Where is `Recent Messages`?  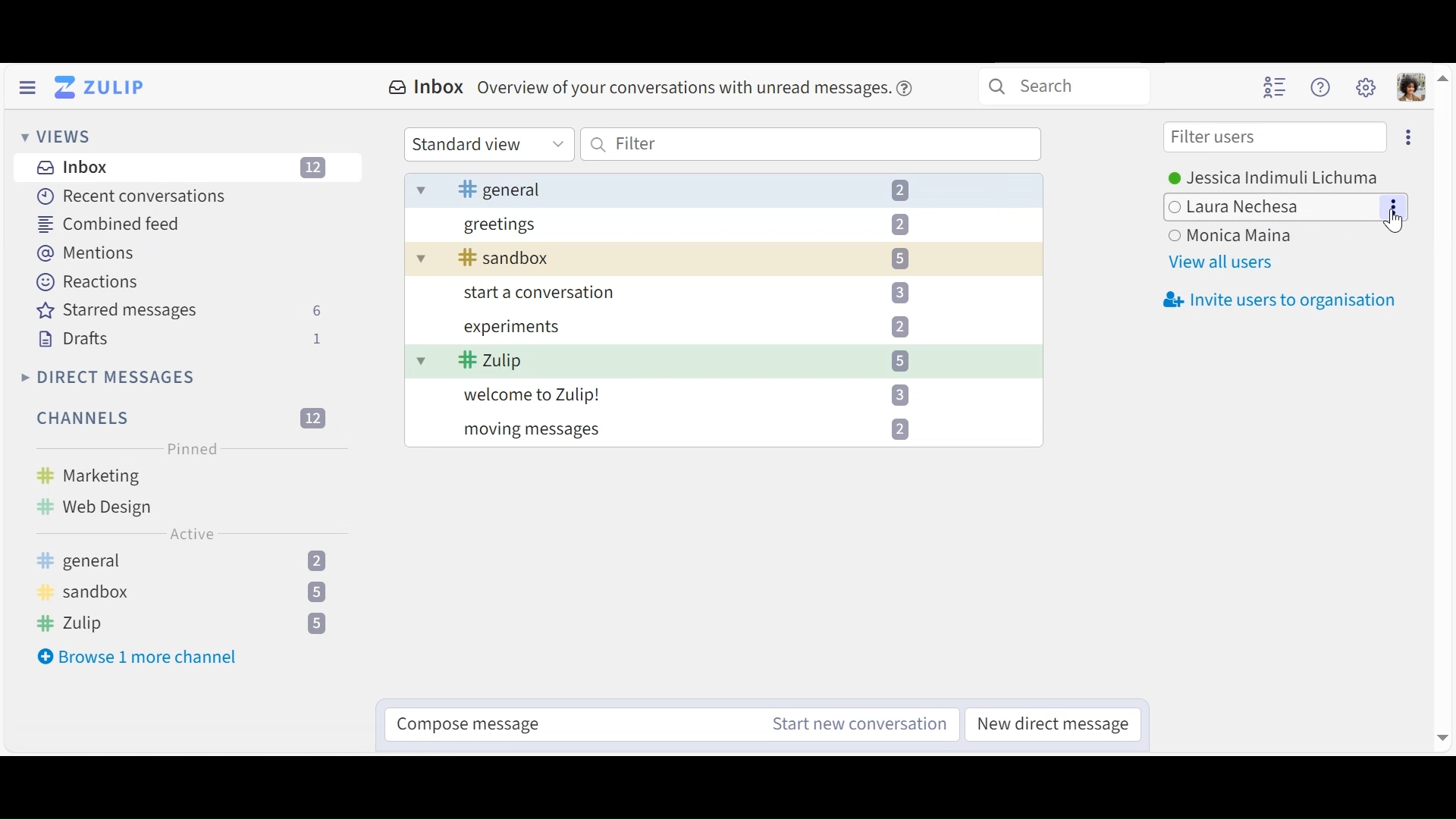
Recent Messages is located at coordinates (128, 198).